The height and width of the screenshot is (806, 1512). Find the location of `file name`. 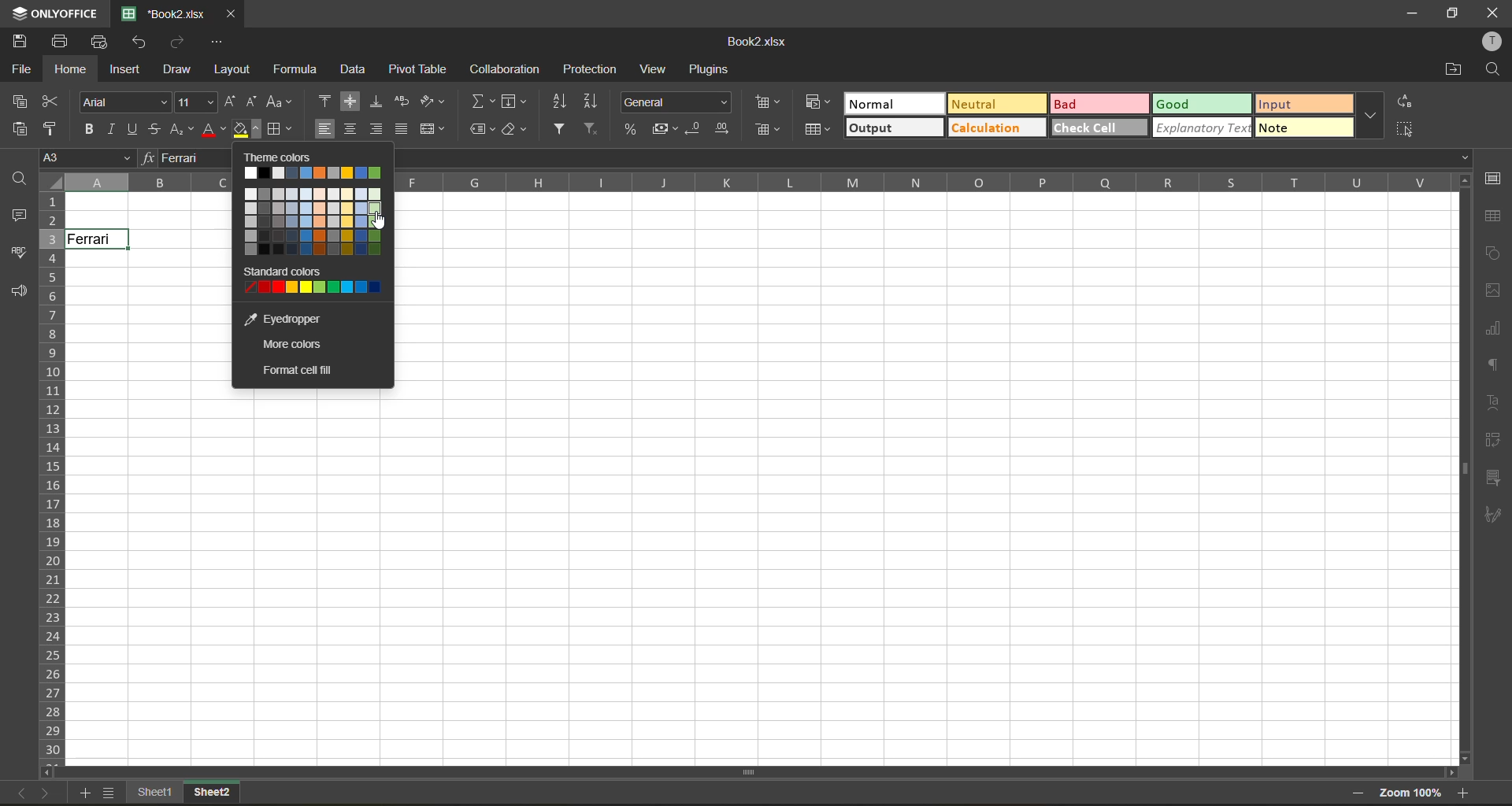

file name is located at coordinates (161, 12).